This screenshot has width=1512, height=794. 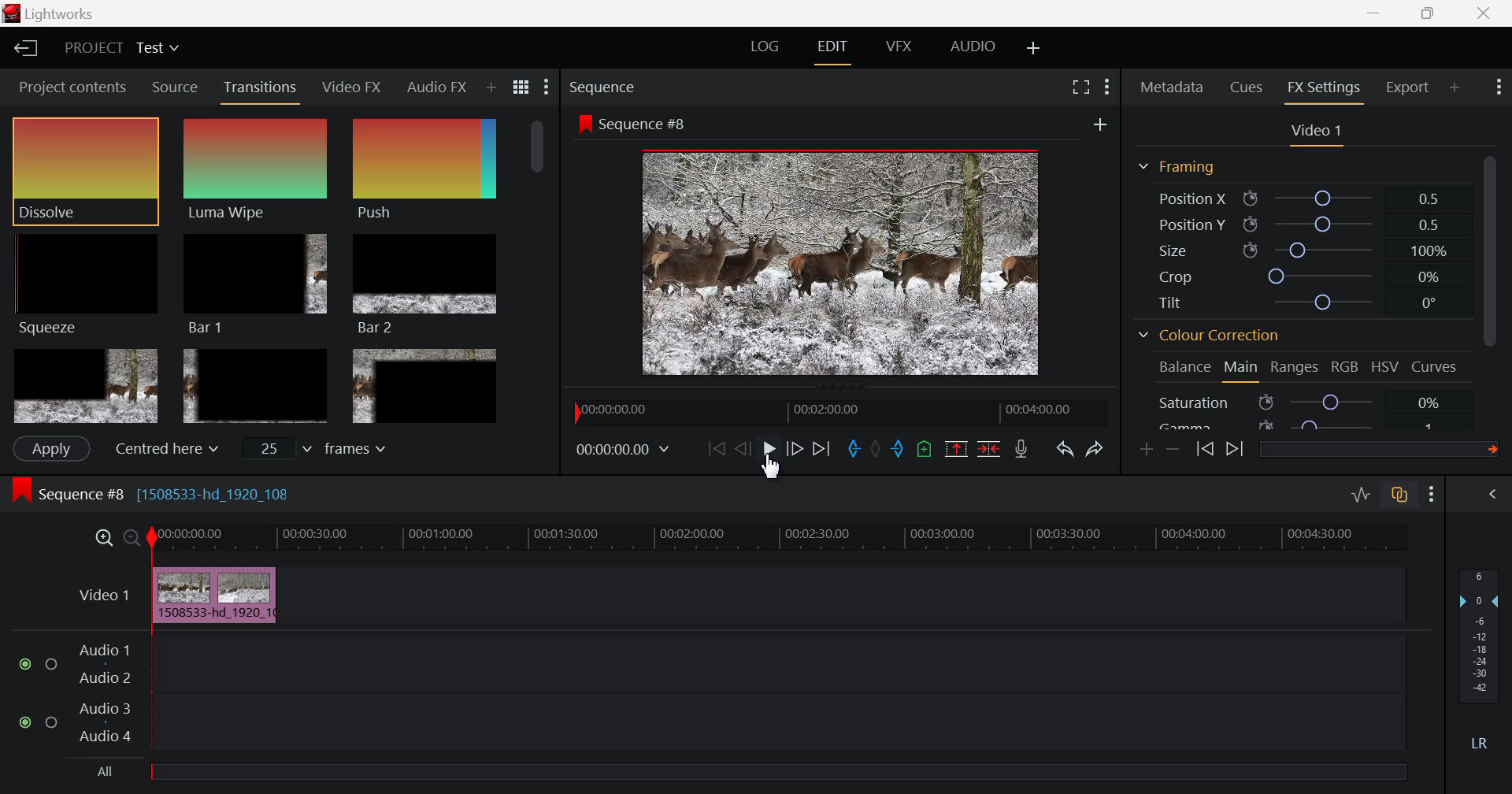 What do you see at coordinates (1455, 90) in the screenshot?
I see `Add panel` at bounding box center [1455, 90].